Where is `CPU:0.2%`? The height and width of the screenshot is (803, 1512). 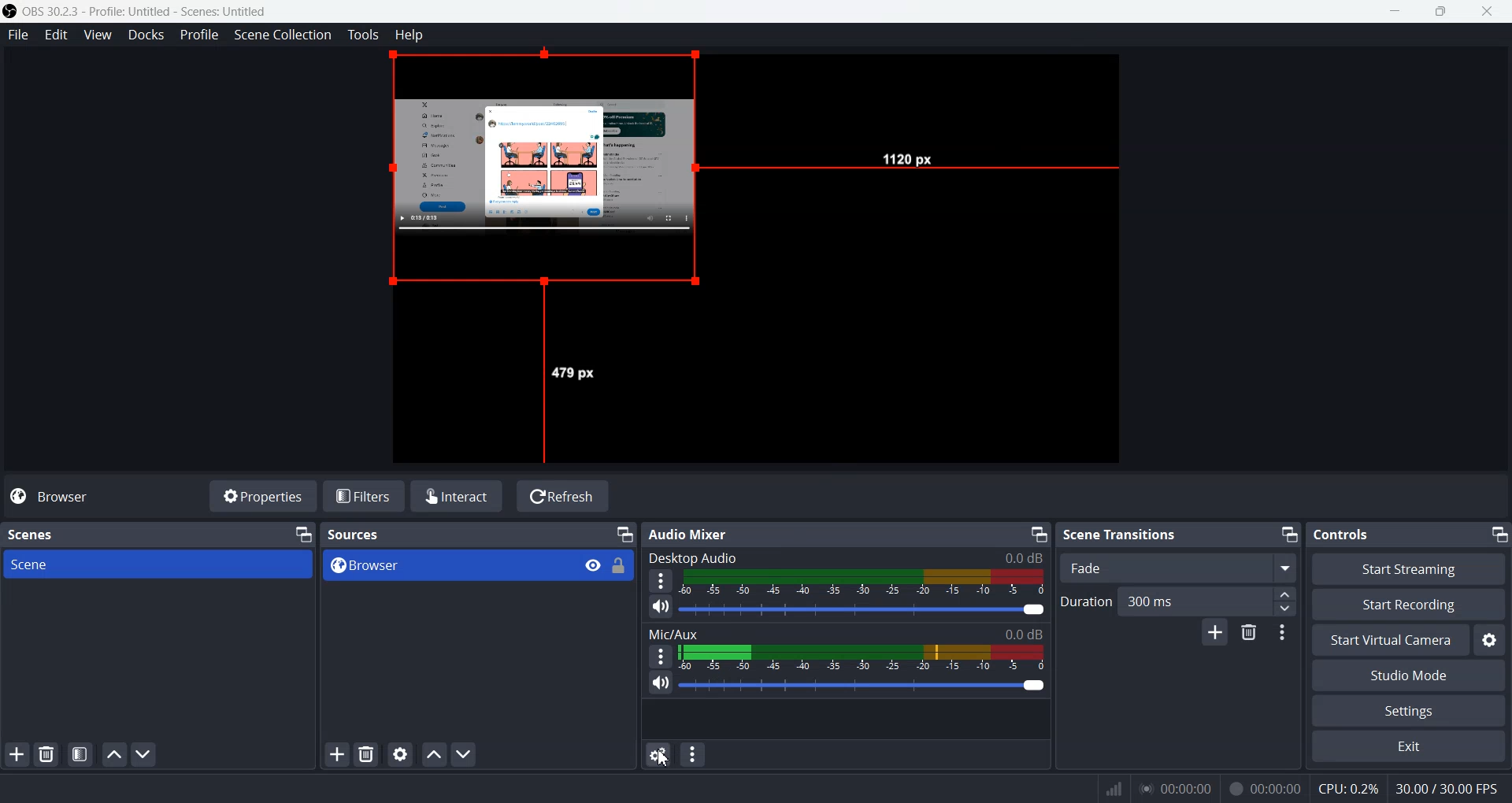
CPU:0.2% is located at coordinates (1348, 787).